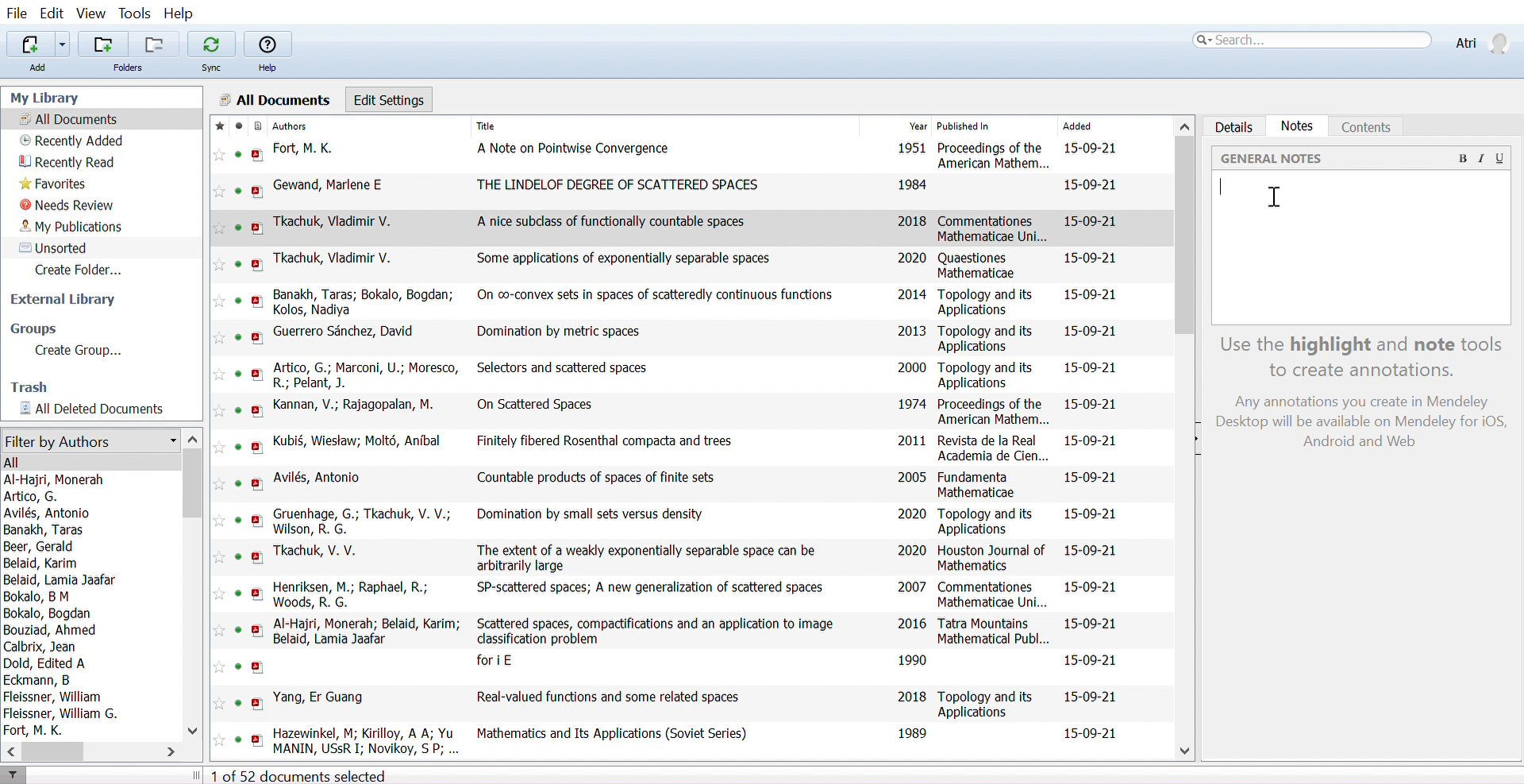 The width and height of the screenshot is (1524, 784). I want to click on On Scattered Spaces, so click(540, 404).